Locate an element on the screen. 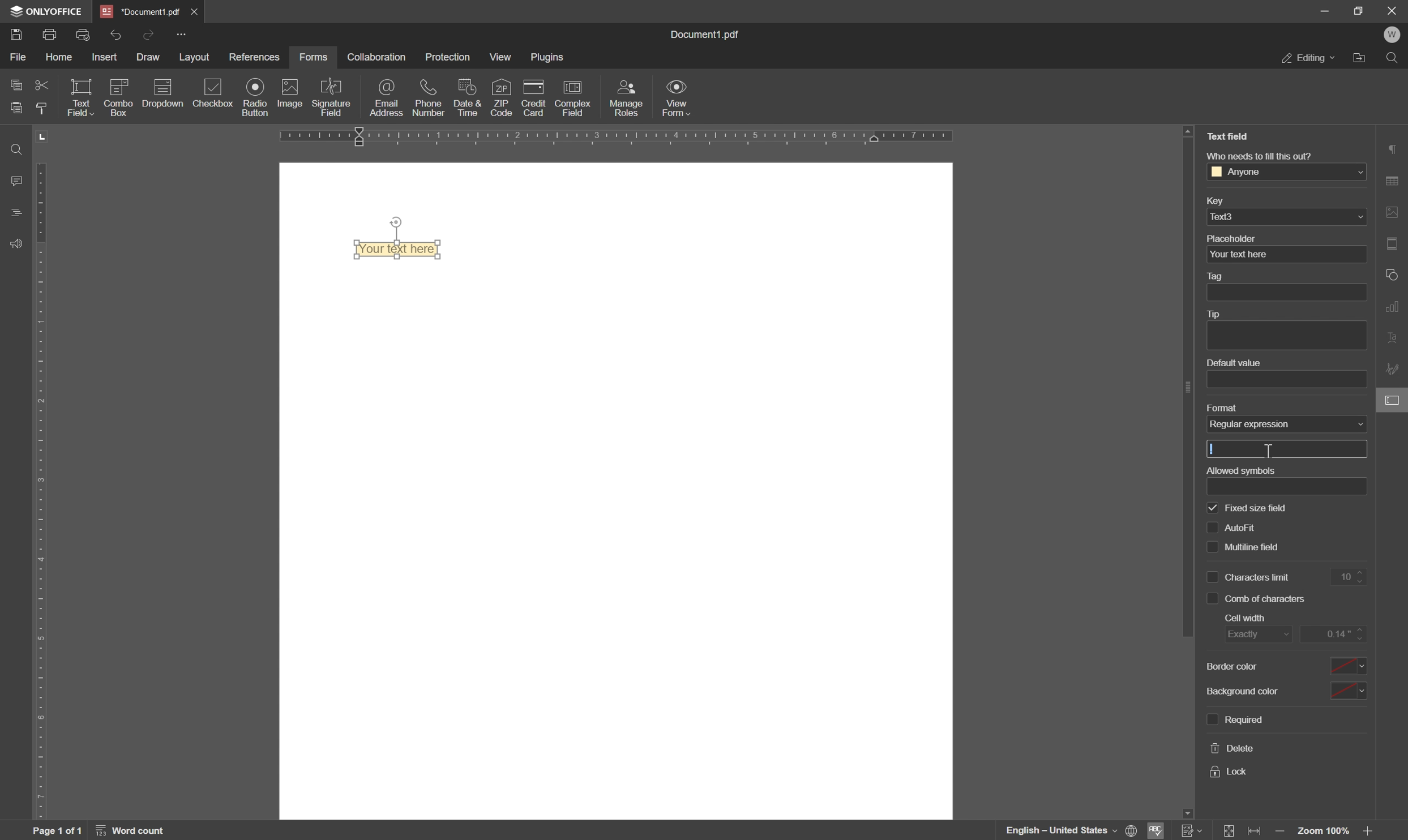 This screenshot has height=840, width=1408. lock is located at coordinates (1230, 772).